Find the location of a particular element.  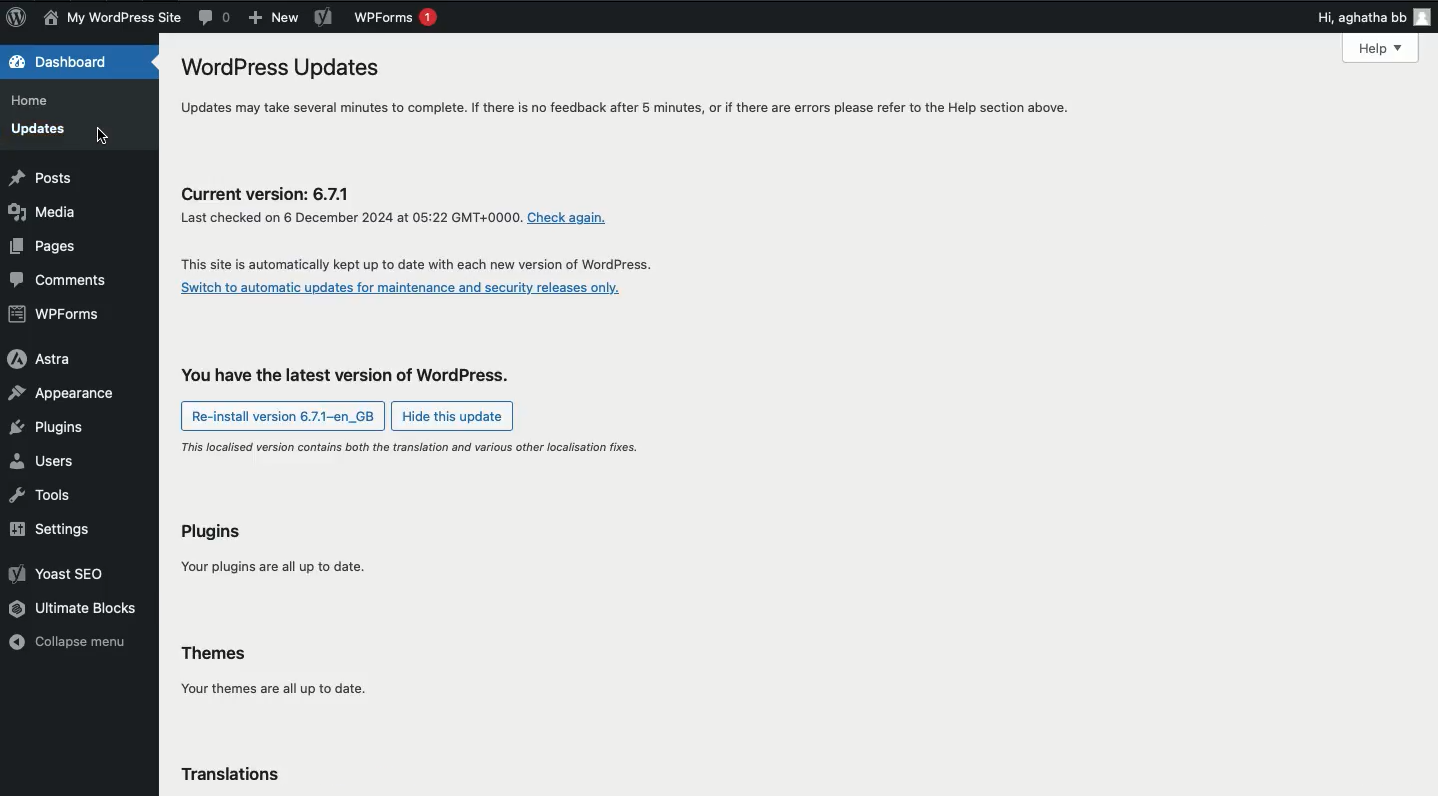

Hi user is located at coordinates (1373, 17).